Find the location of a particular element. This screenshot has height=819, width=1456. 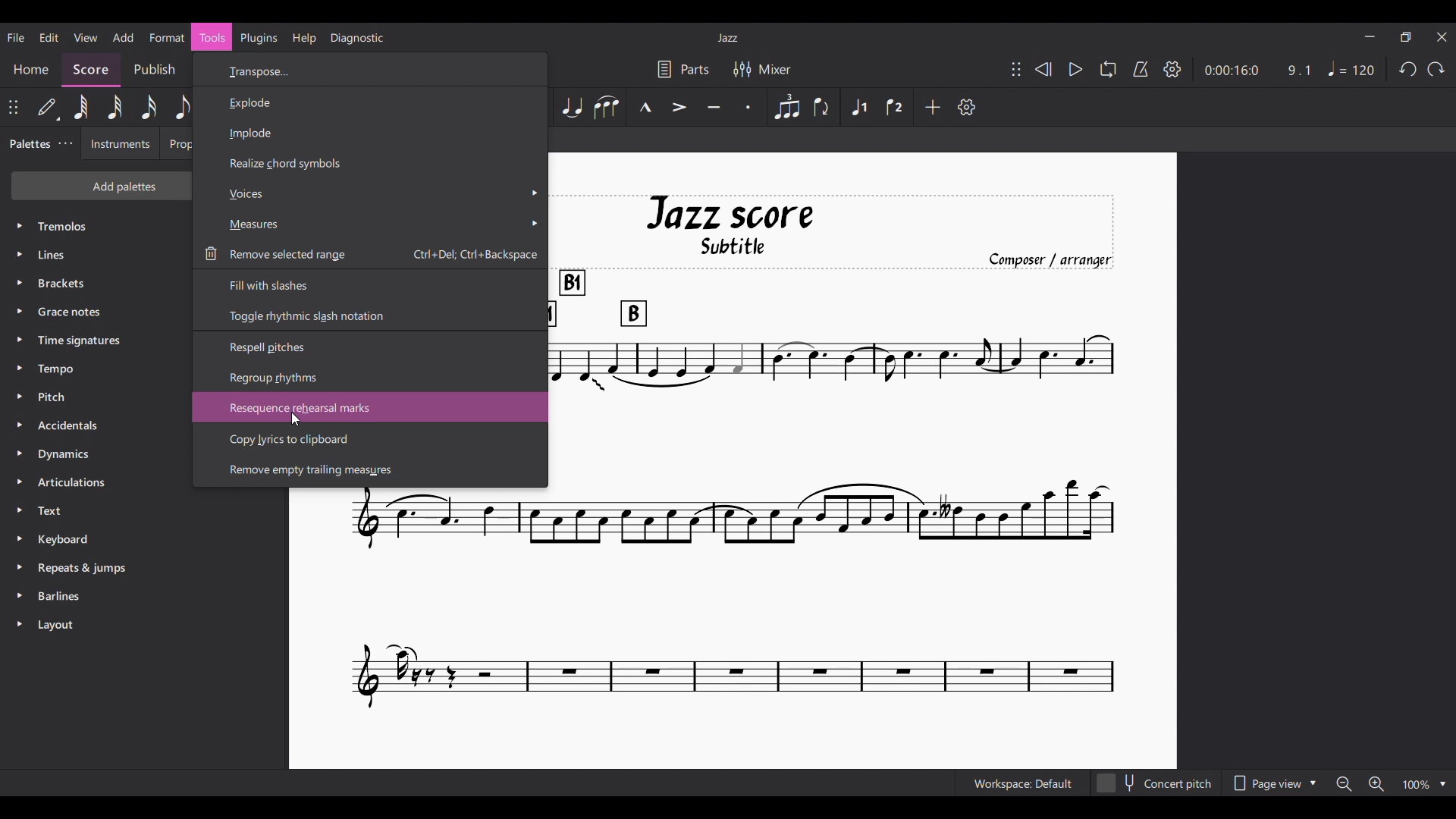

0:00:16:0 is located at coordinates (1232, 71).